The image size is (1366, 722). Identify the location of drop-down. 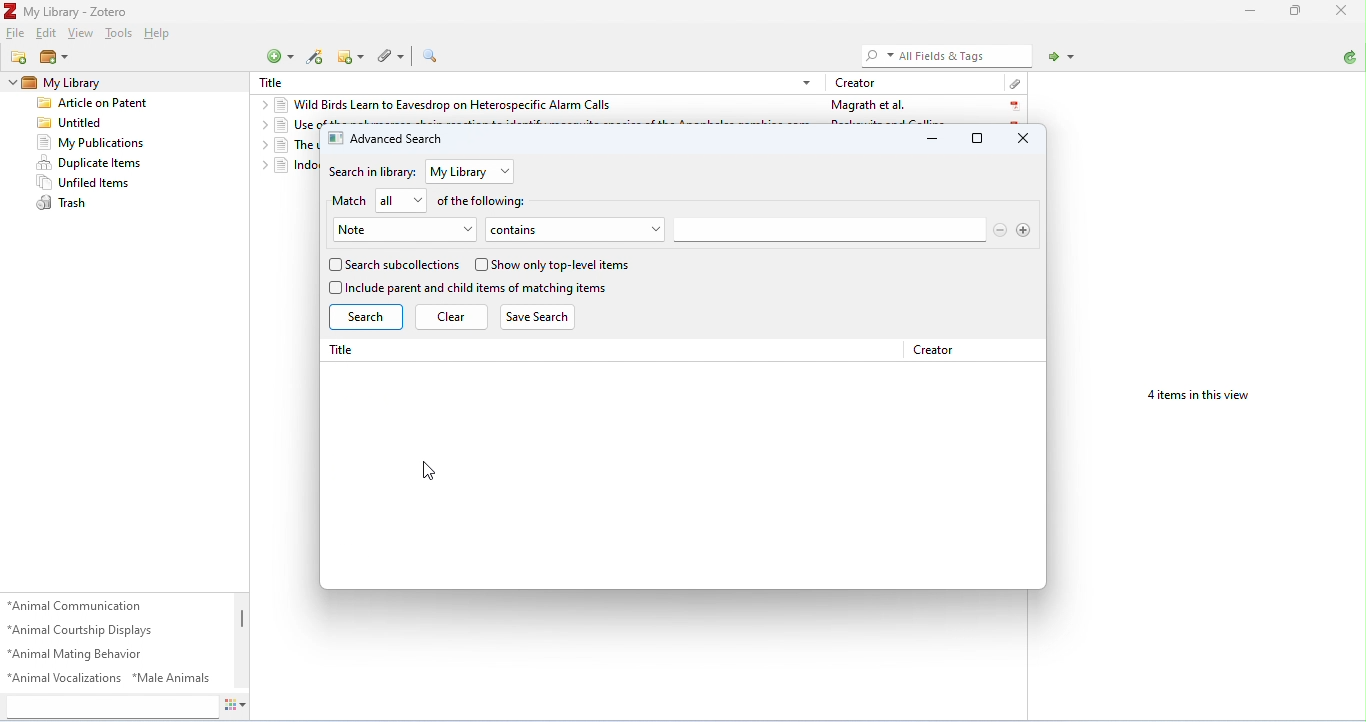
(262, 104).